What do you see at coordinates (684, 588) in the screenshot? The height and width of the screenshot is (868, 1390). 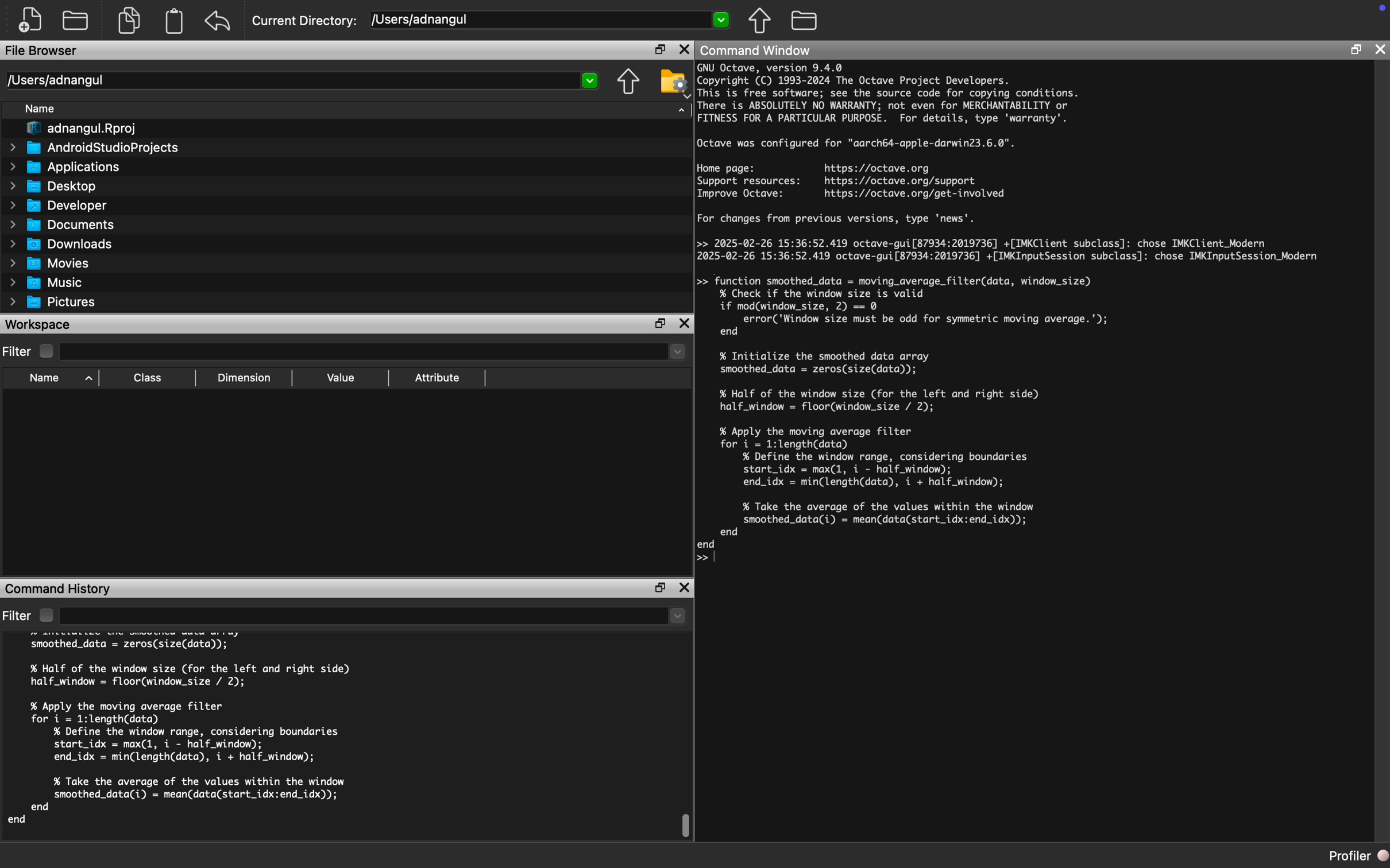 I see `Close` at bounding box center [684, 588].